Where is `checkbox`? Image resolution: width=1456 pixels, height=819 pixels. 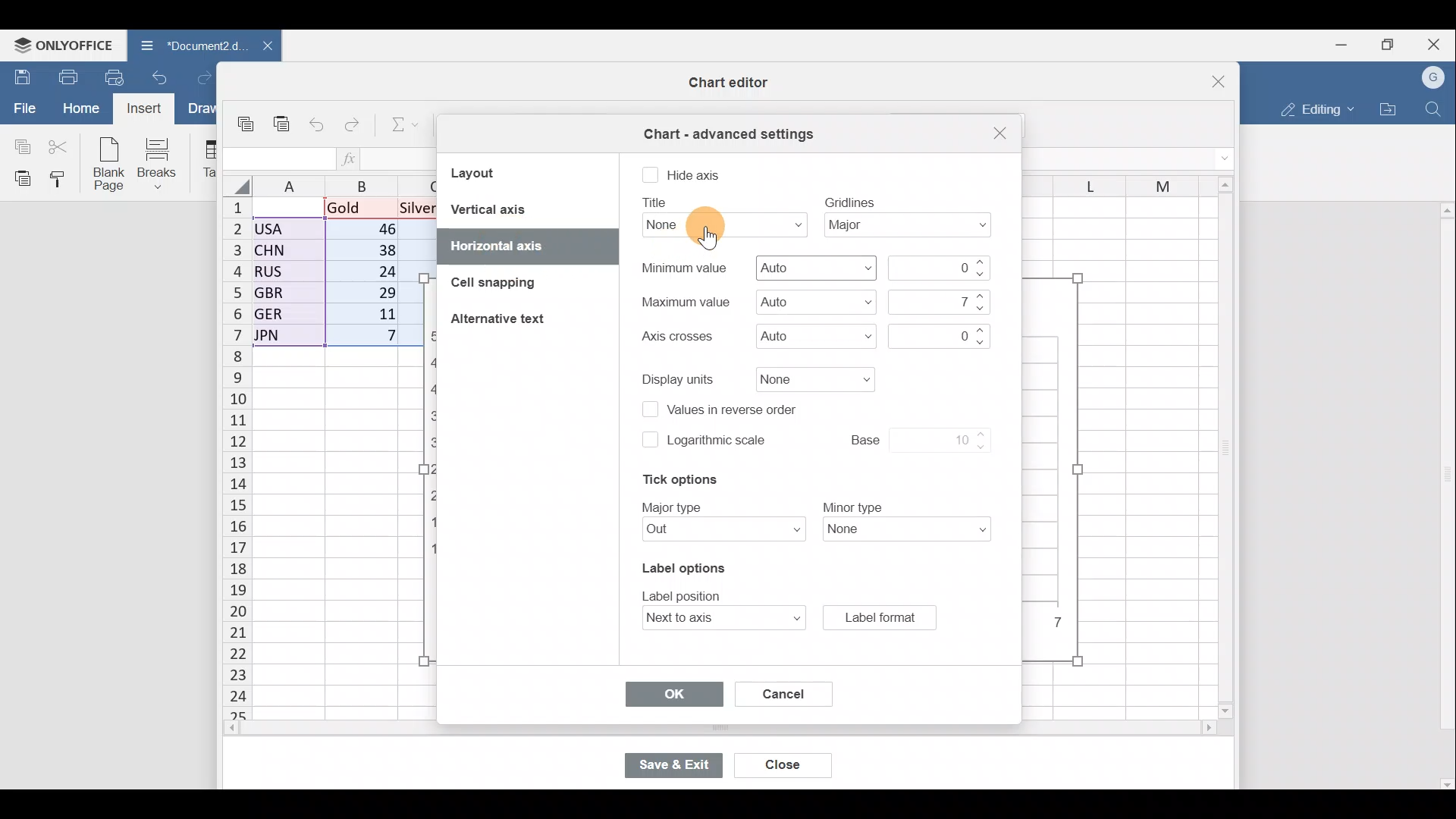
checkbox is located at coordinates (650, 176).